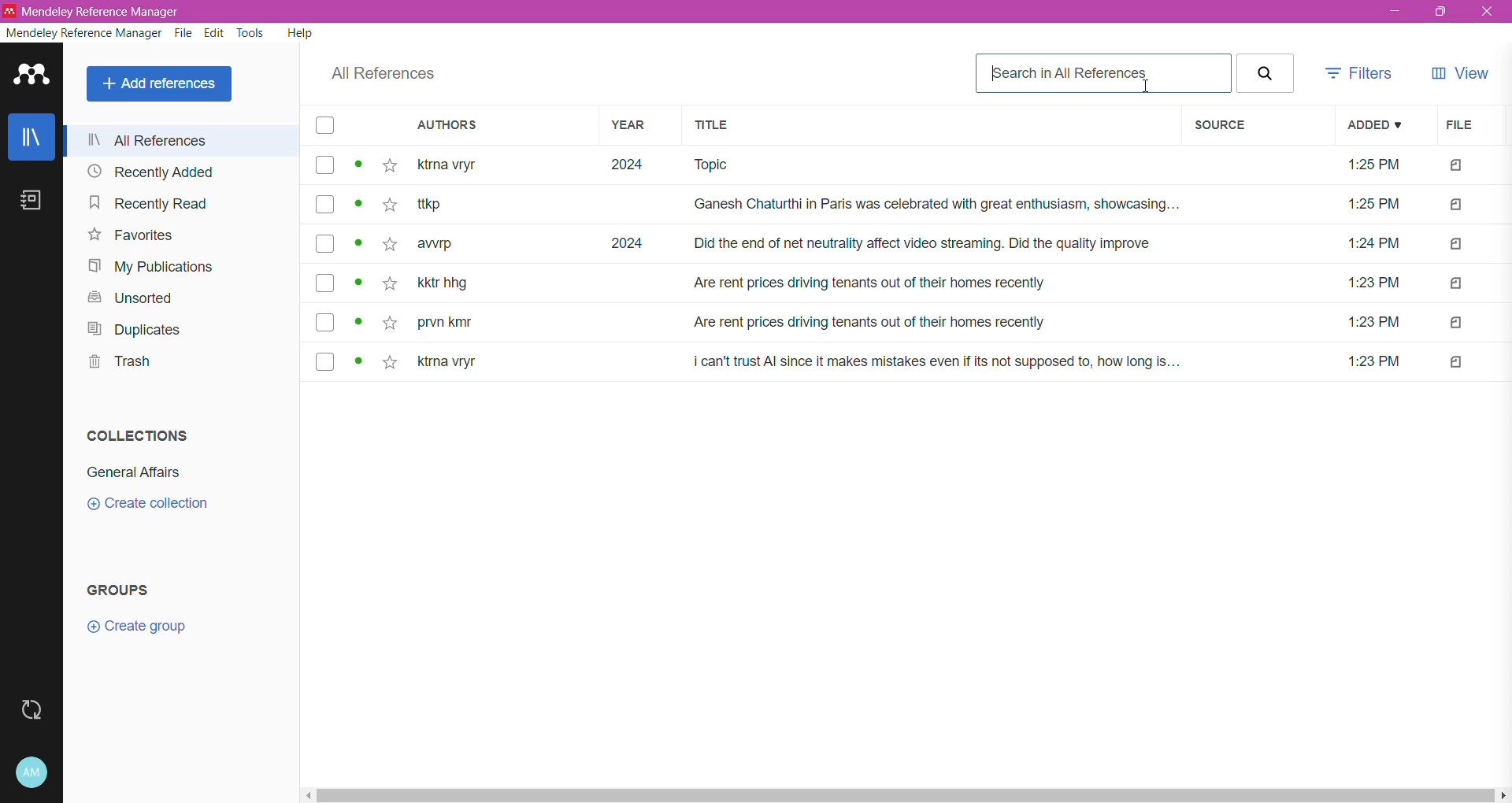  Describe the element at coordinates (249, 35) in the screenshot. I see `Tools` at that location.